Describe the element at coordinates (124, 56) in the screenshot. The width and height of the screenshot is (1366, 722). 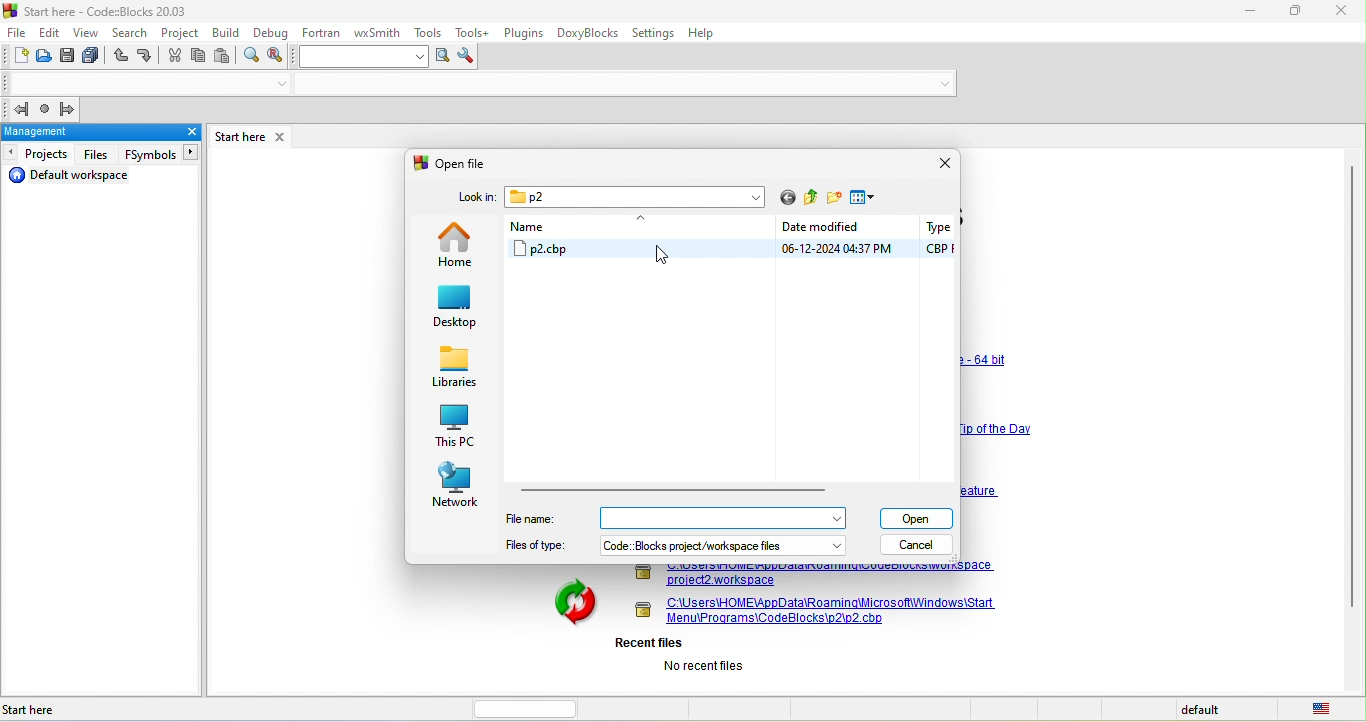
I see `undo` at that location.